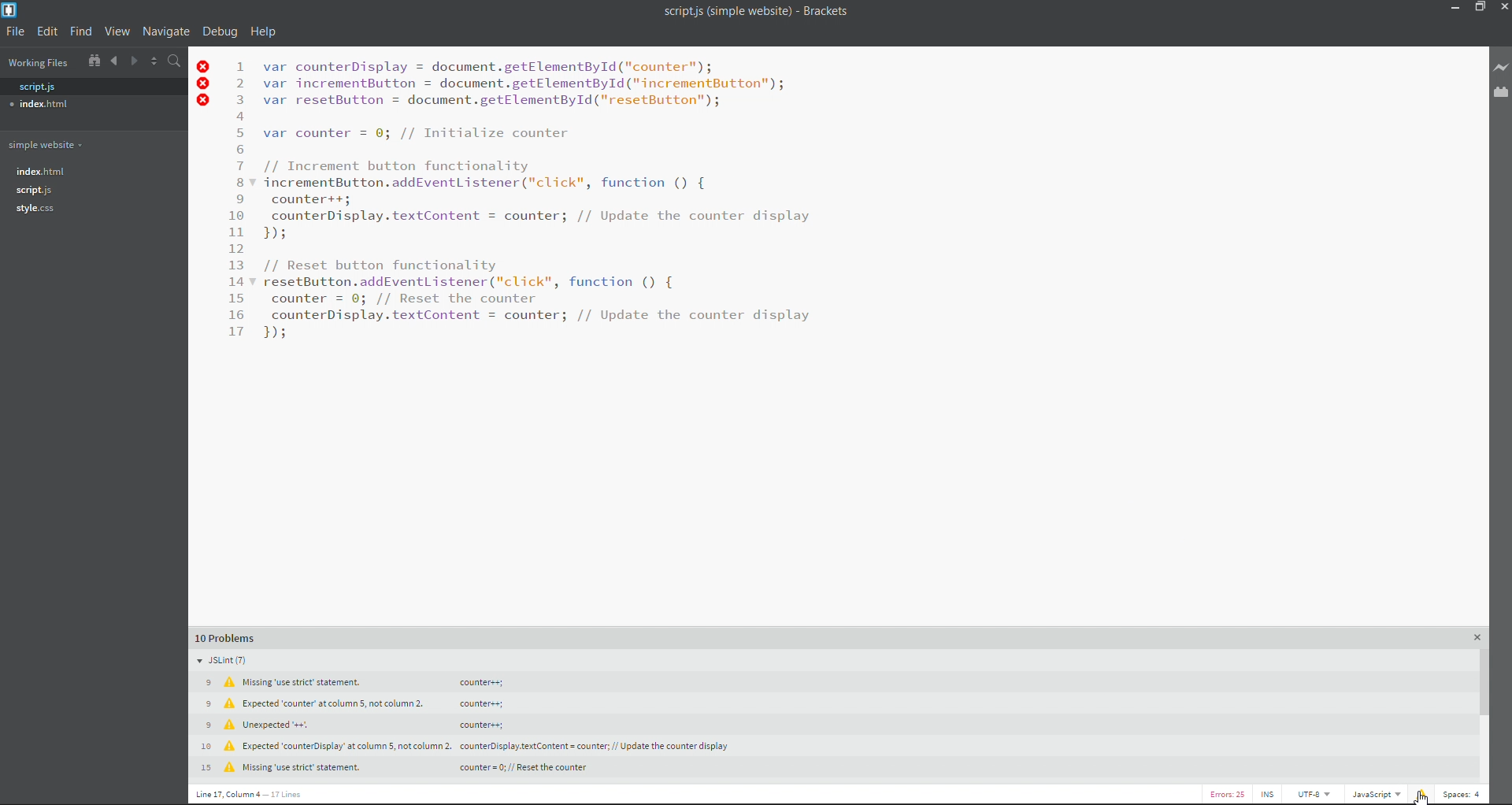  I want to click on error icon , so click(206, 86).